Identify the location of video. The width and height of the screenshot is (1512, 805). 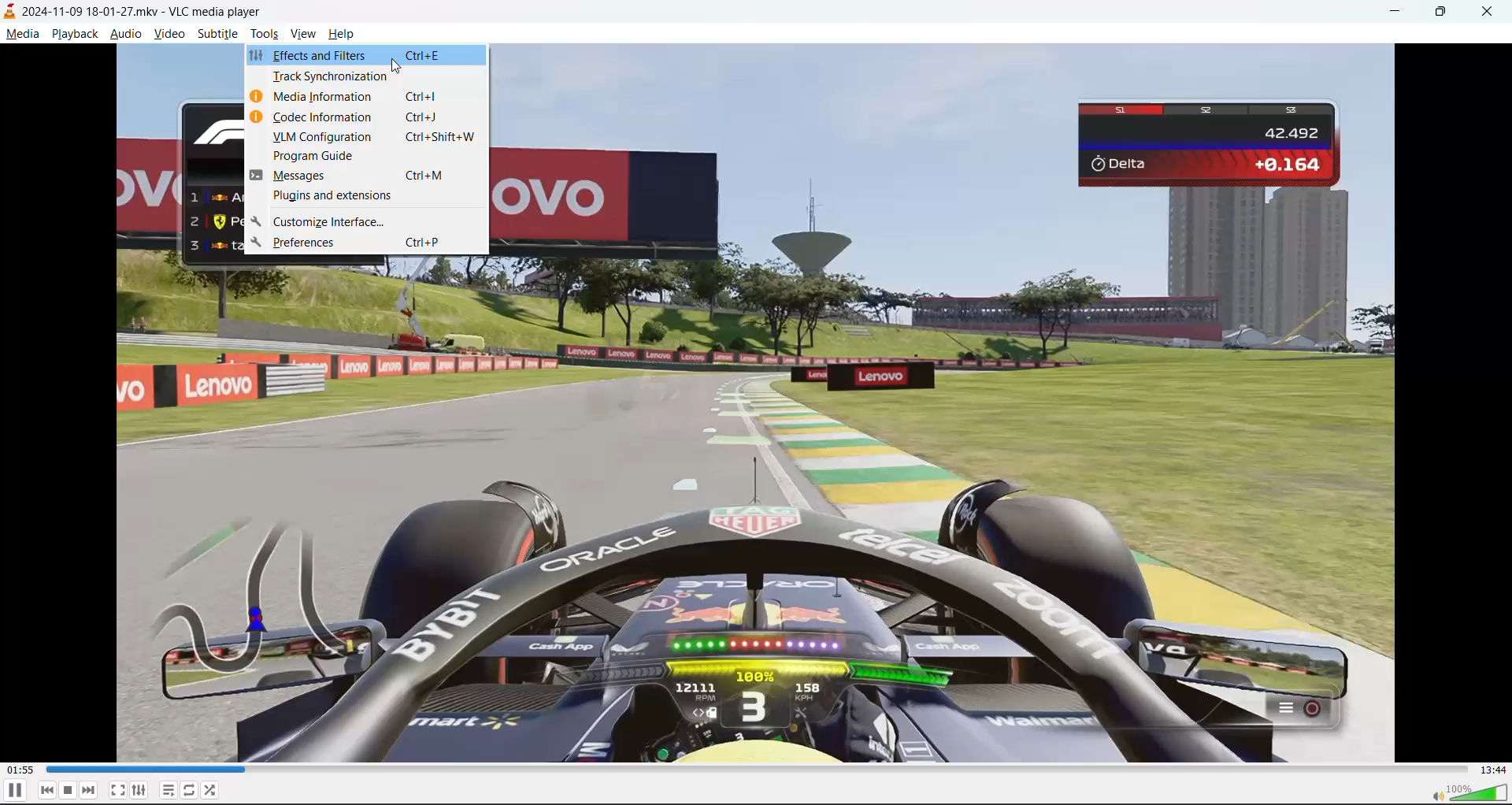
(169, 37).